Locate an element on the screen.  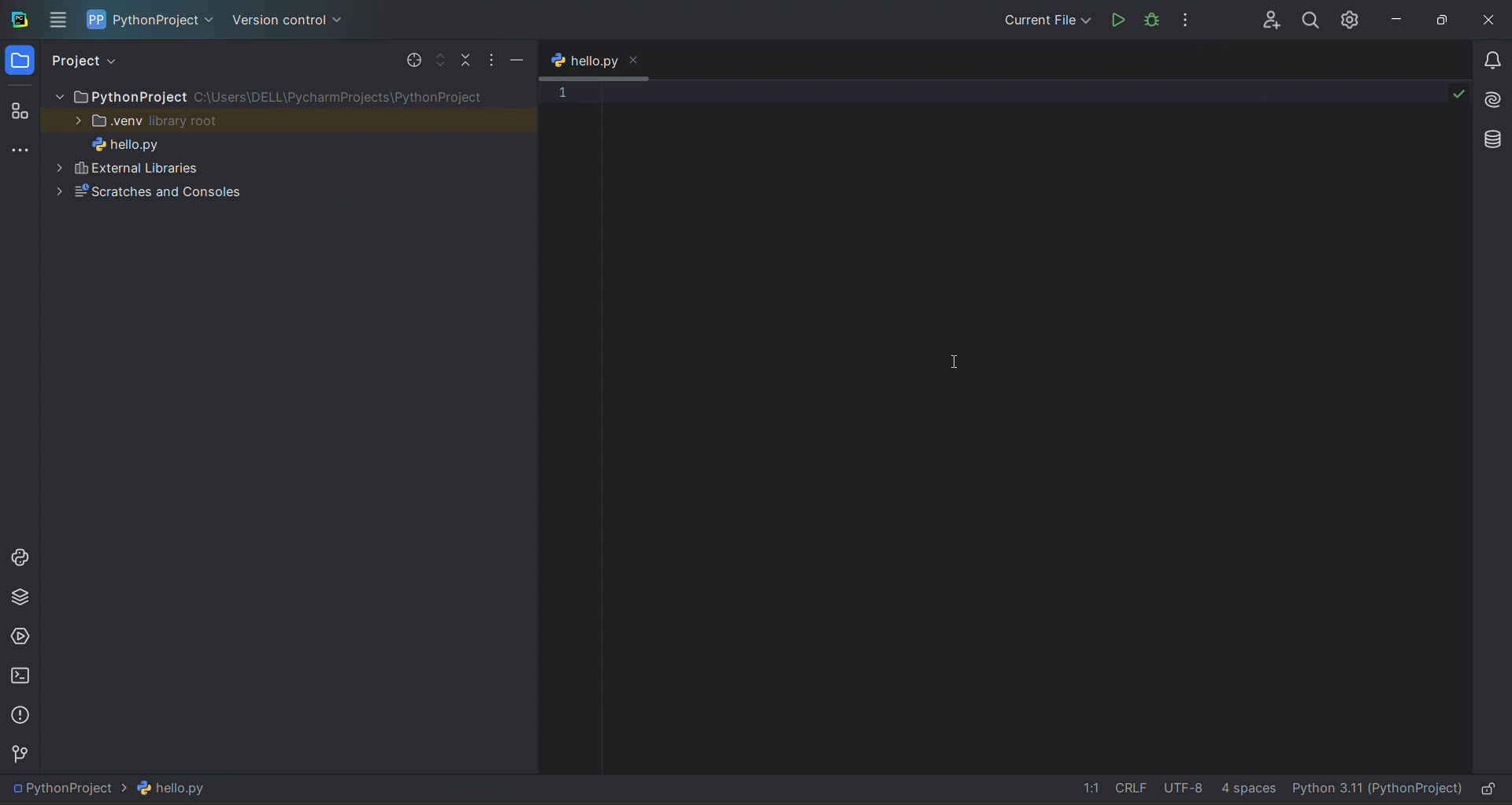
close is located at coordinates (1493, 20).